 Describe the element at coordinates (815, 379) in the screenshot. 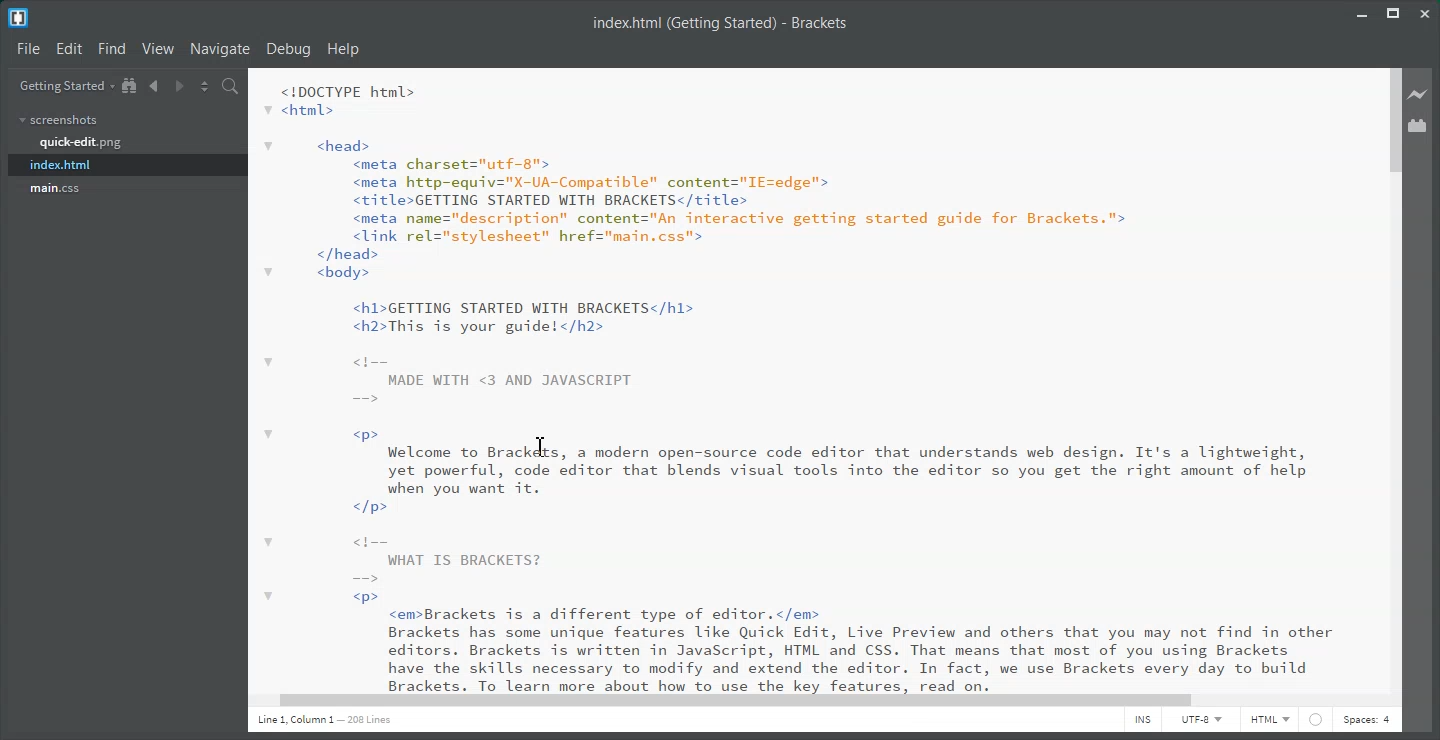

I see `code editor` at that location.